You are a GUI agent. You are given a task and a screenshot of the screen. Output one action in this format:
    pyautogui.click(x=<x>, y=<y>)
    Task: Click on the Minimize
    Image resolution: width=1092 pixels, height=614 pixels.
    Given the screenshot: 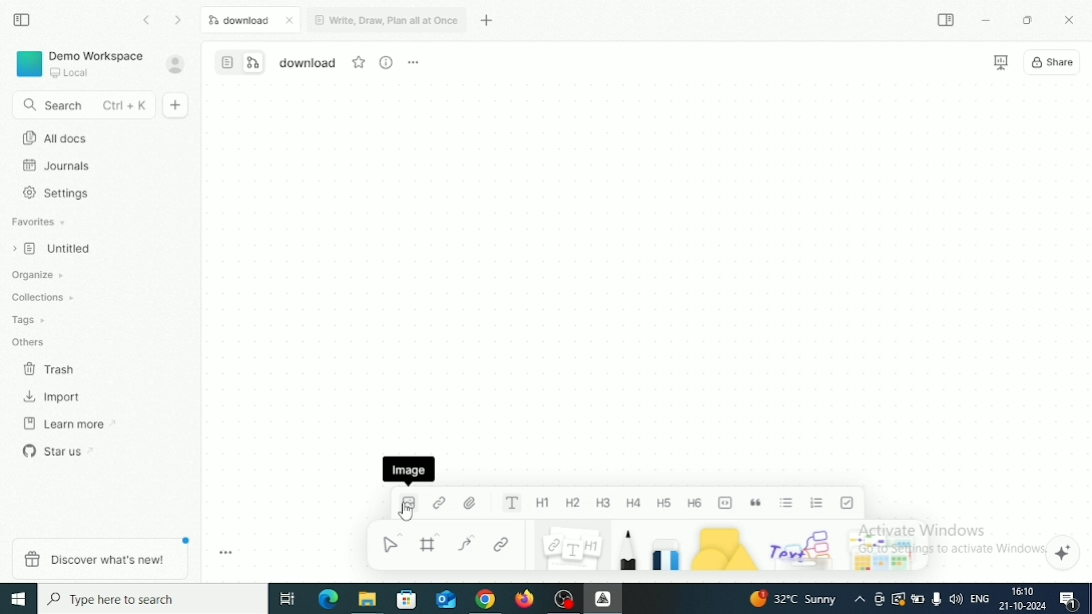 What is the action you would take?
    pyautogui.click(x=986, y=19)
    